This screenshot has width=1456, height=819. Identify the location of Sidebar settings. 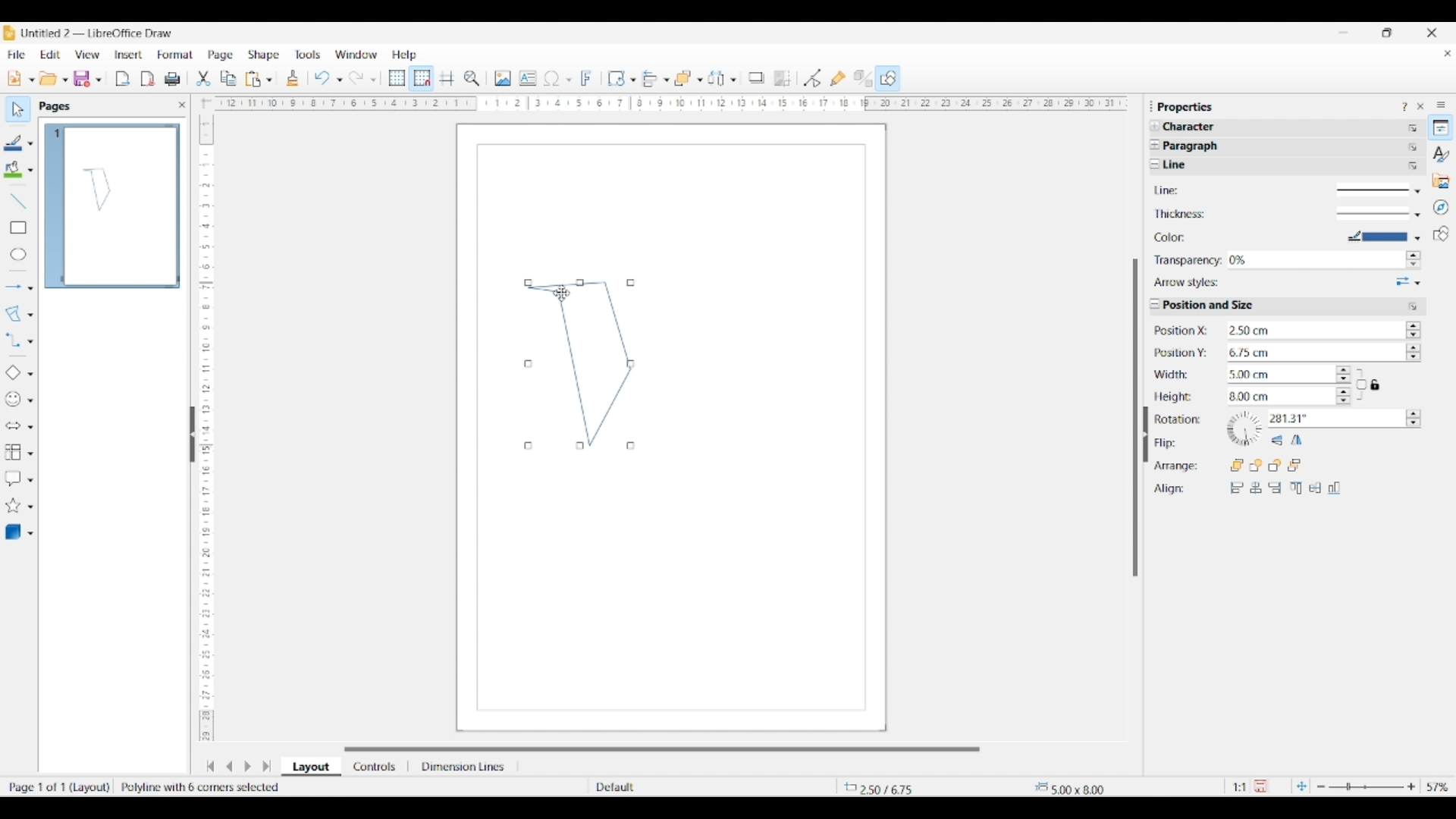
(1441, 104).